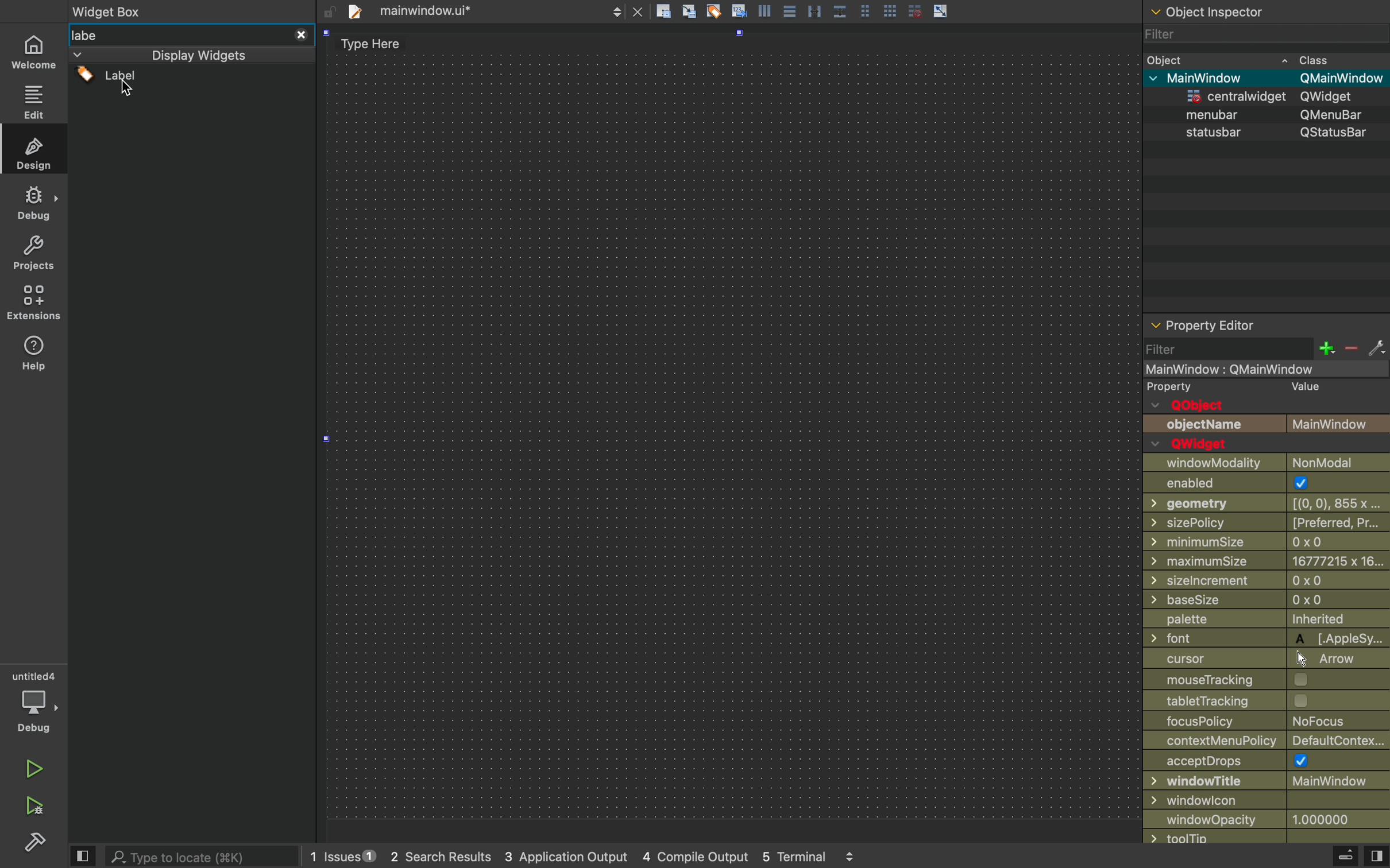 This screenshot has width=1390, height=868. I want to click on help, so click(34, 356).